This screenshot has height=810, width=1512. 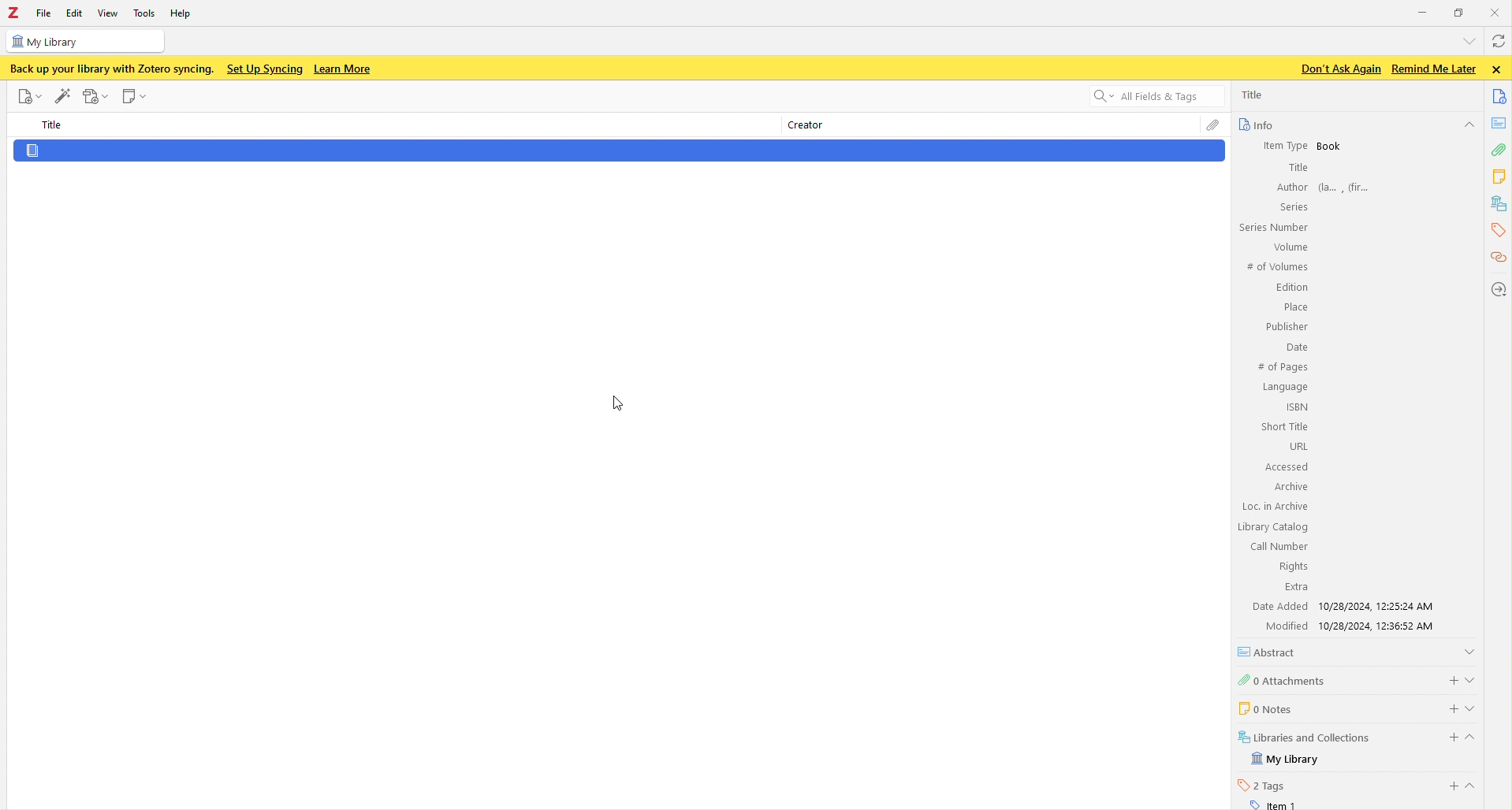 I want to click on Close, so click(x=1497, y=12).